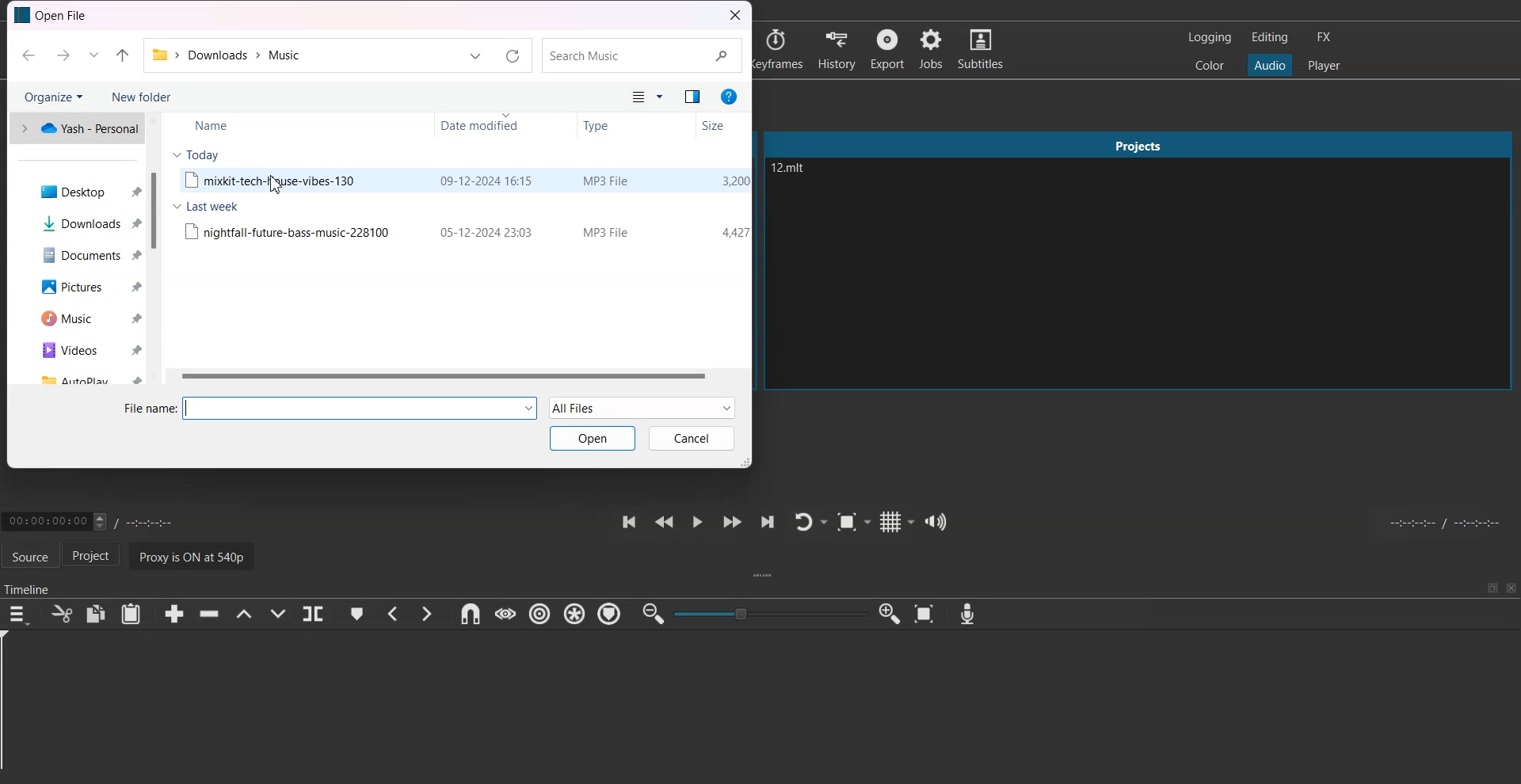 The height and width of the screenshot is (784, 1521). I want to click on New Folder, so click(141, 97).